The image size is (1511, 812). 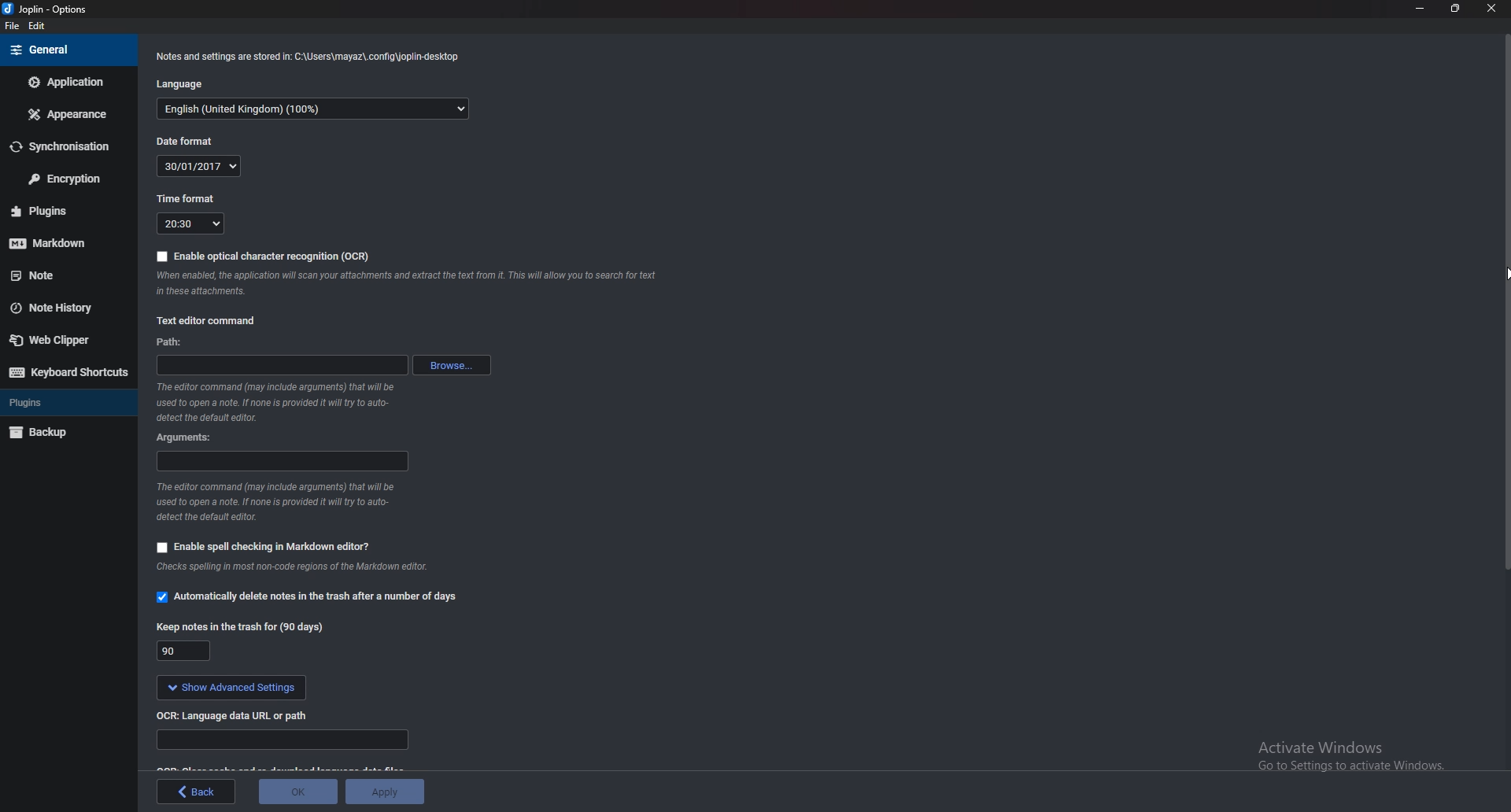 What do you see at coordinates (306, 567) in the screenshot?
I see `Info` at bounding box center [306, 567].